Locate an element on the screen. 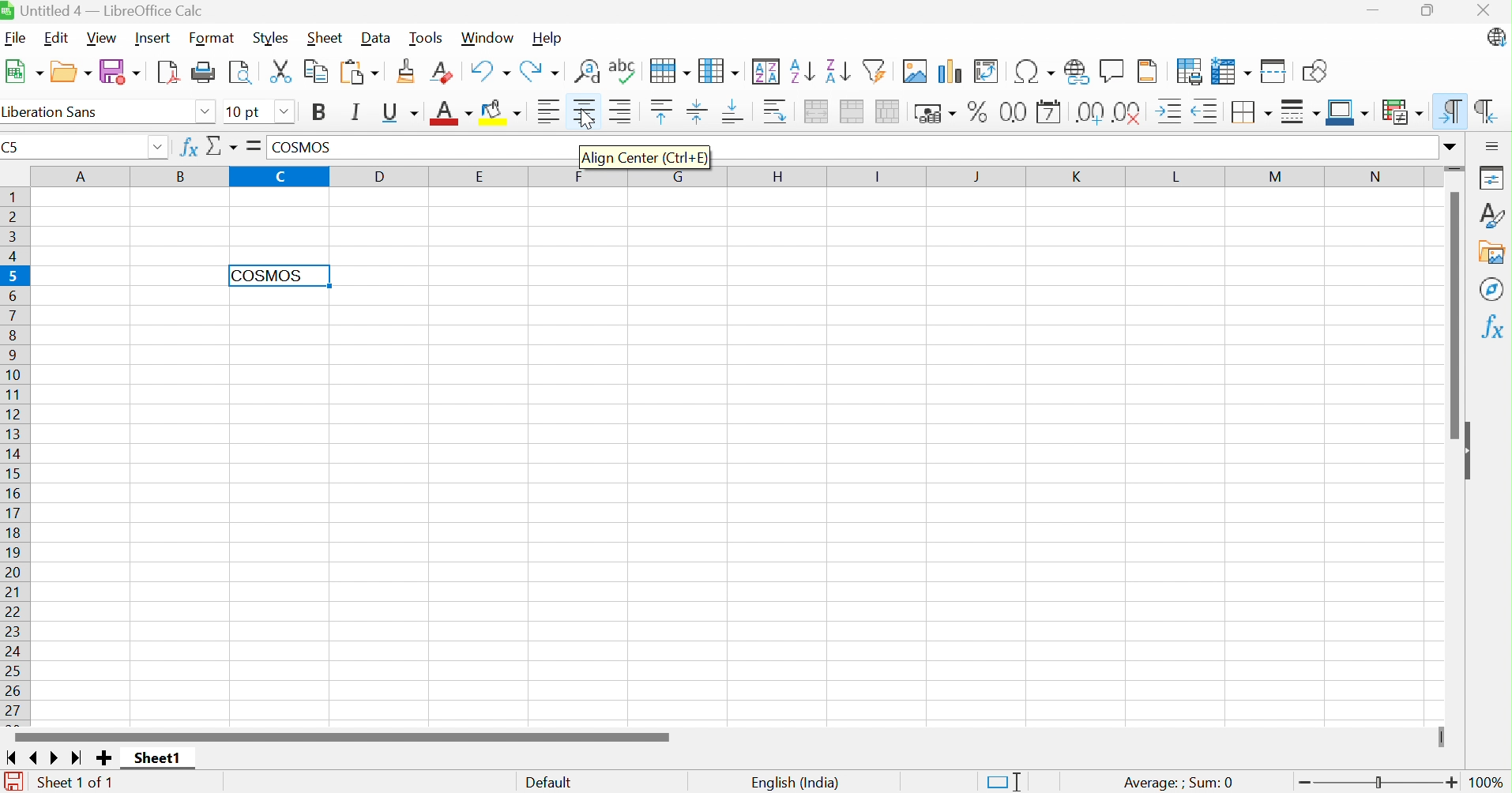 This screenshot has height=793, width=1512. Sheet 1 is located at coordinates (158, 758).